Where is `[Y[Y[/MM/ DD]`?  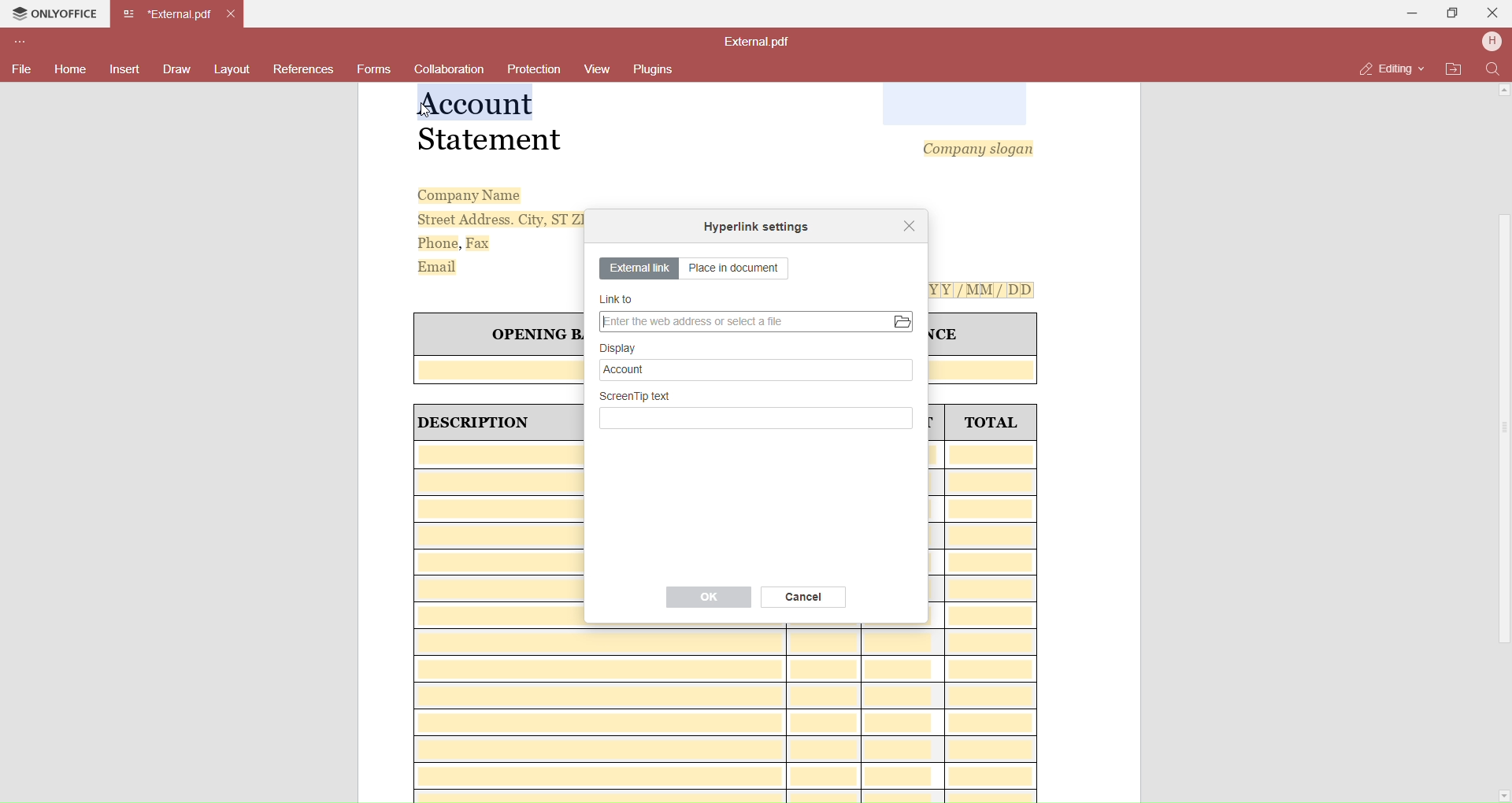 [Y[Y[/MM/ DD] is located at coordinates (986, 290).